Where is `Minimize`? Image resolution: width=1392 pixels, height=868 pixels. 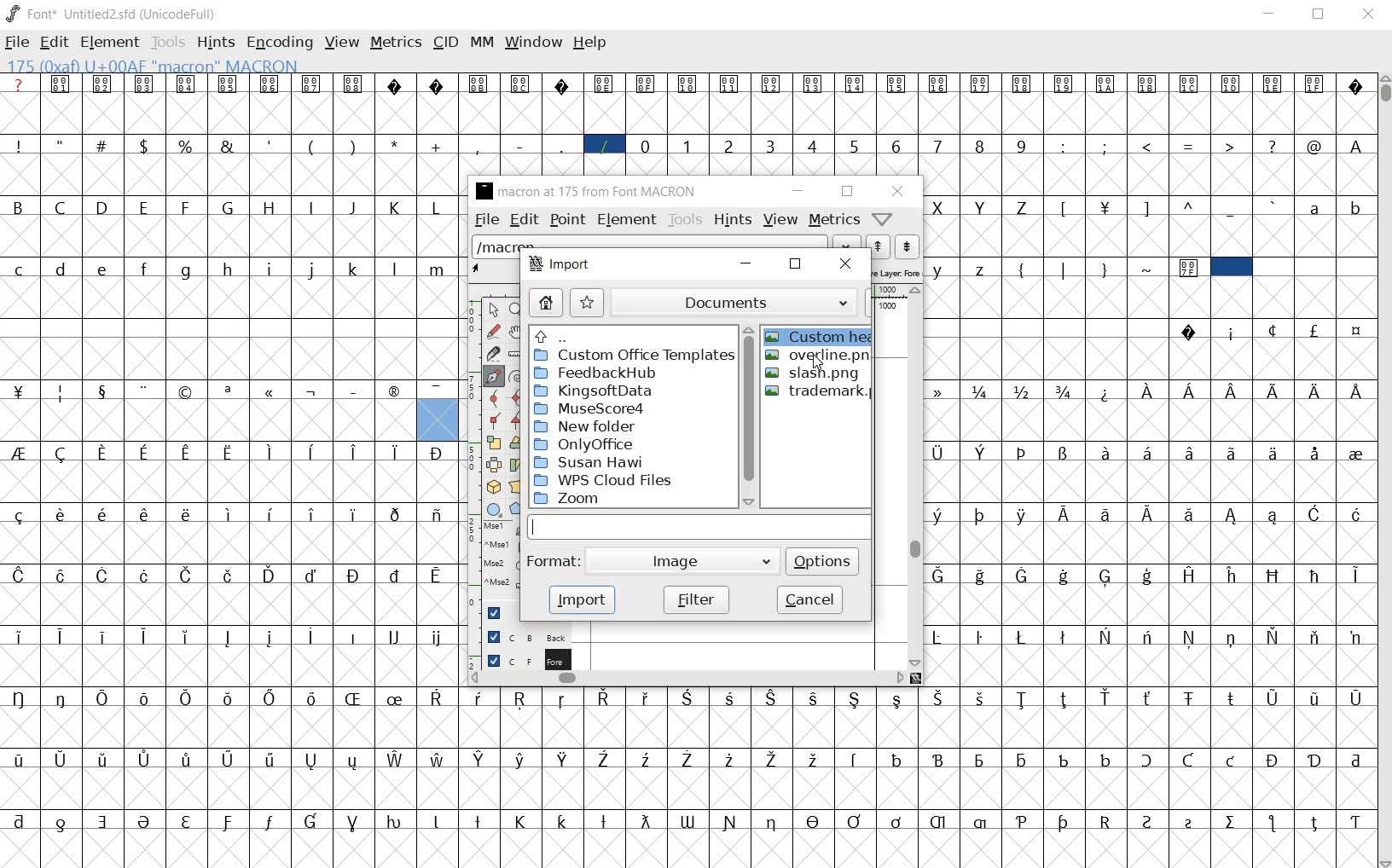 Minimize is located at coordinates (1270, 15).